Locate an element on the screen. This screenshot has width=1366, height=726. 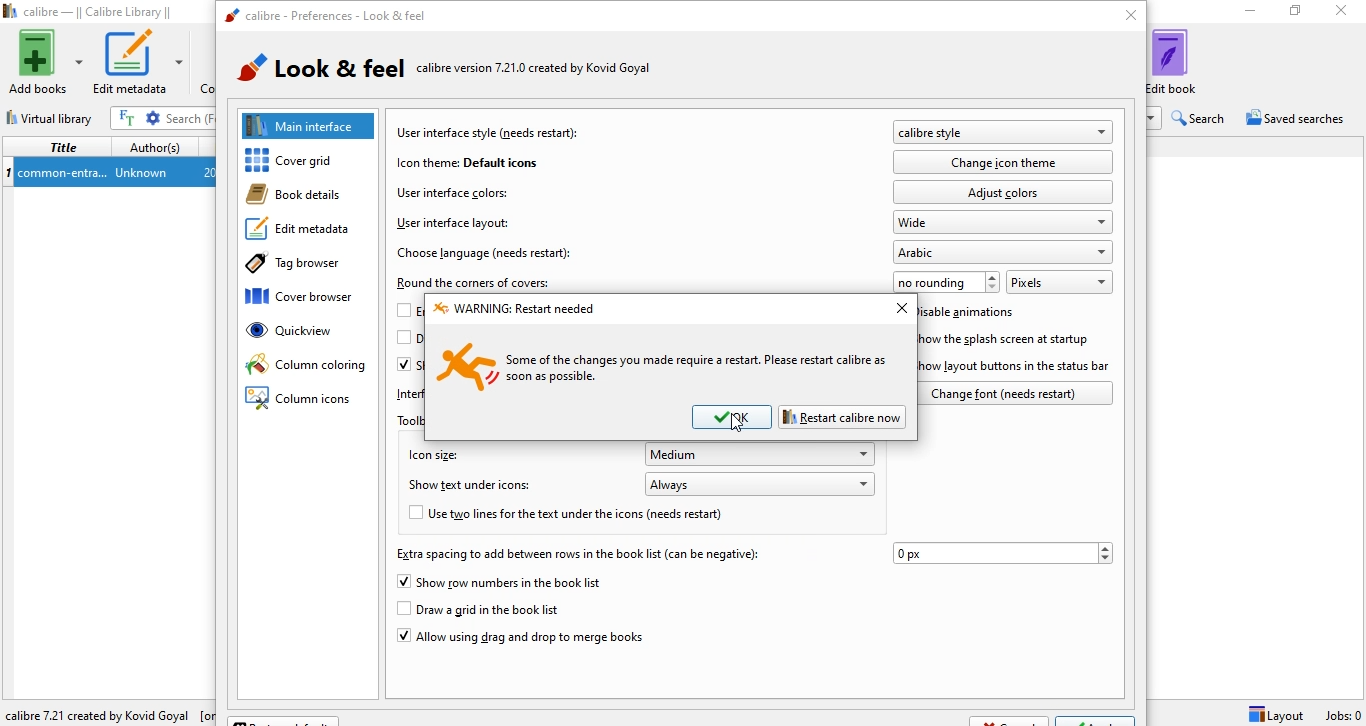
look & feel the language in which to display the user interface is located at coordinates (474, 71).